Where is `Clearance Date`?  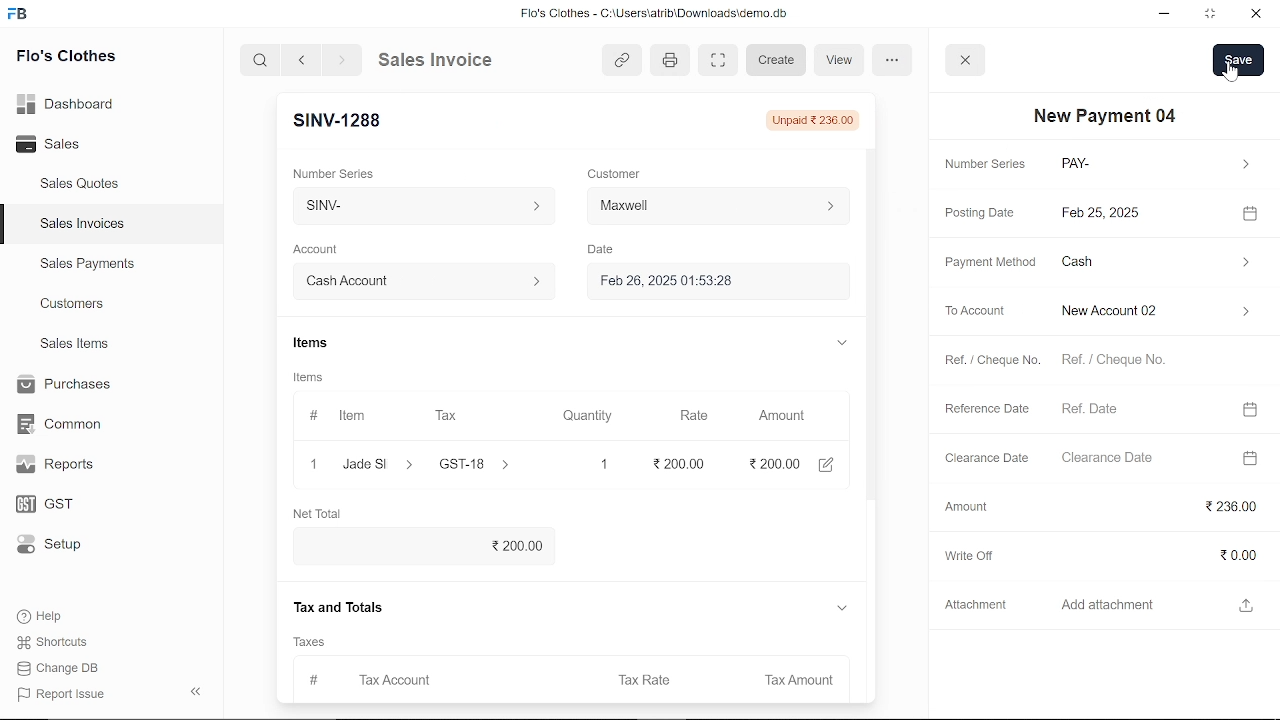
Clearance Date is located at coordinates (1139, 459).